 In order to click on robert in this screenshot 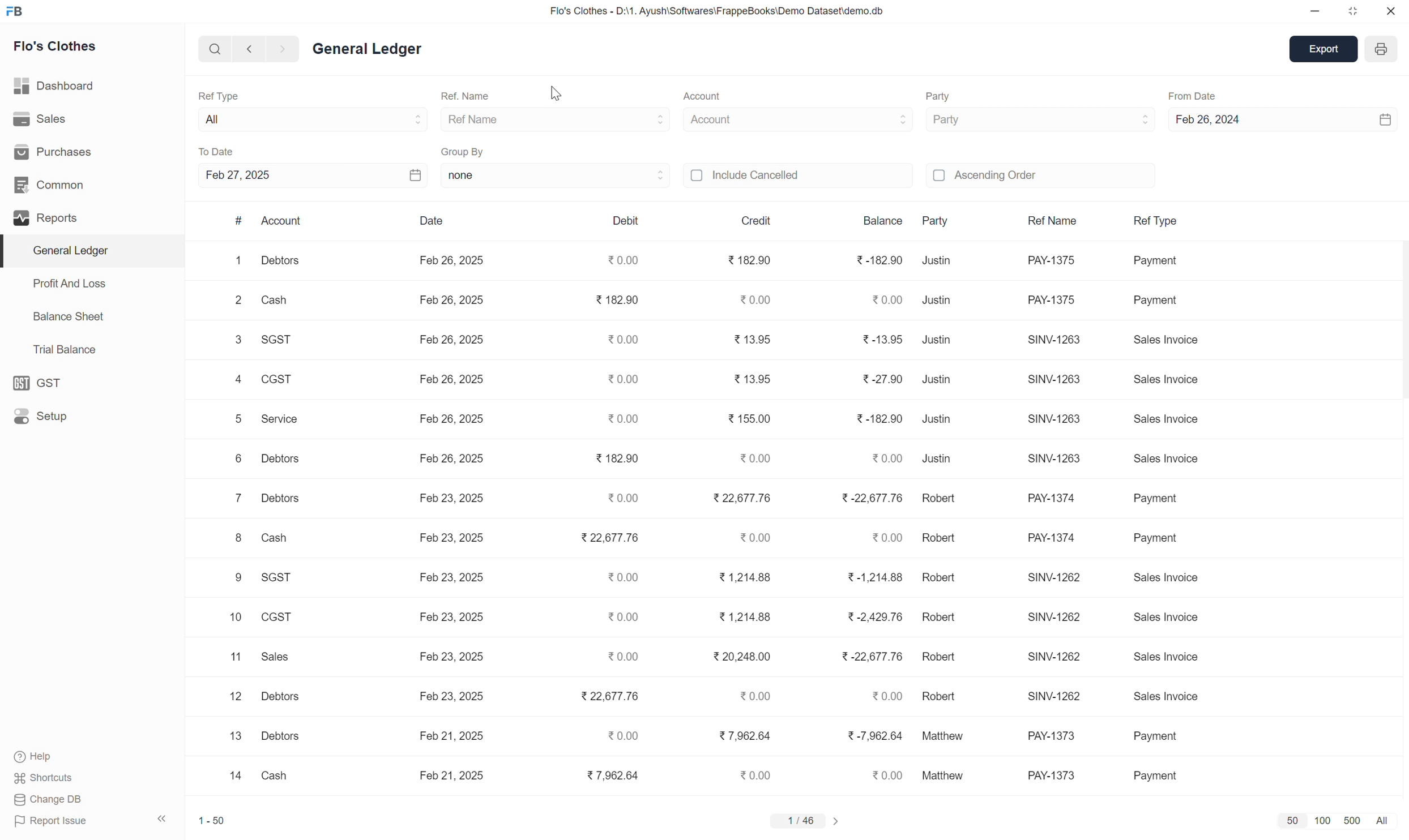, I will do `click(945, 661)`.